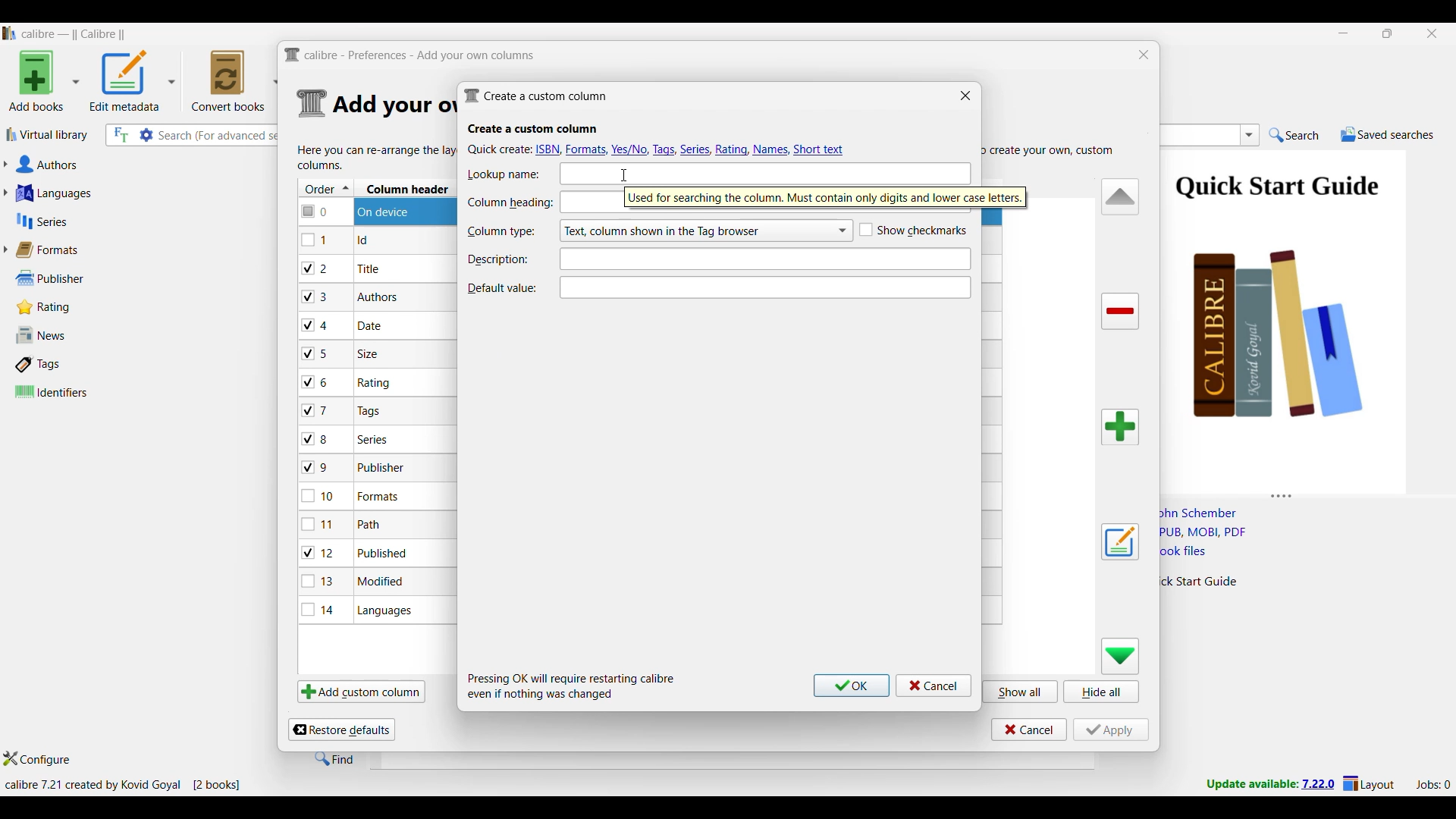  Describe the element at coordinates (410, 55) in the screenshot. I see `Title and logo of current window` at that location.